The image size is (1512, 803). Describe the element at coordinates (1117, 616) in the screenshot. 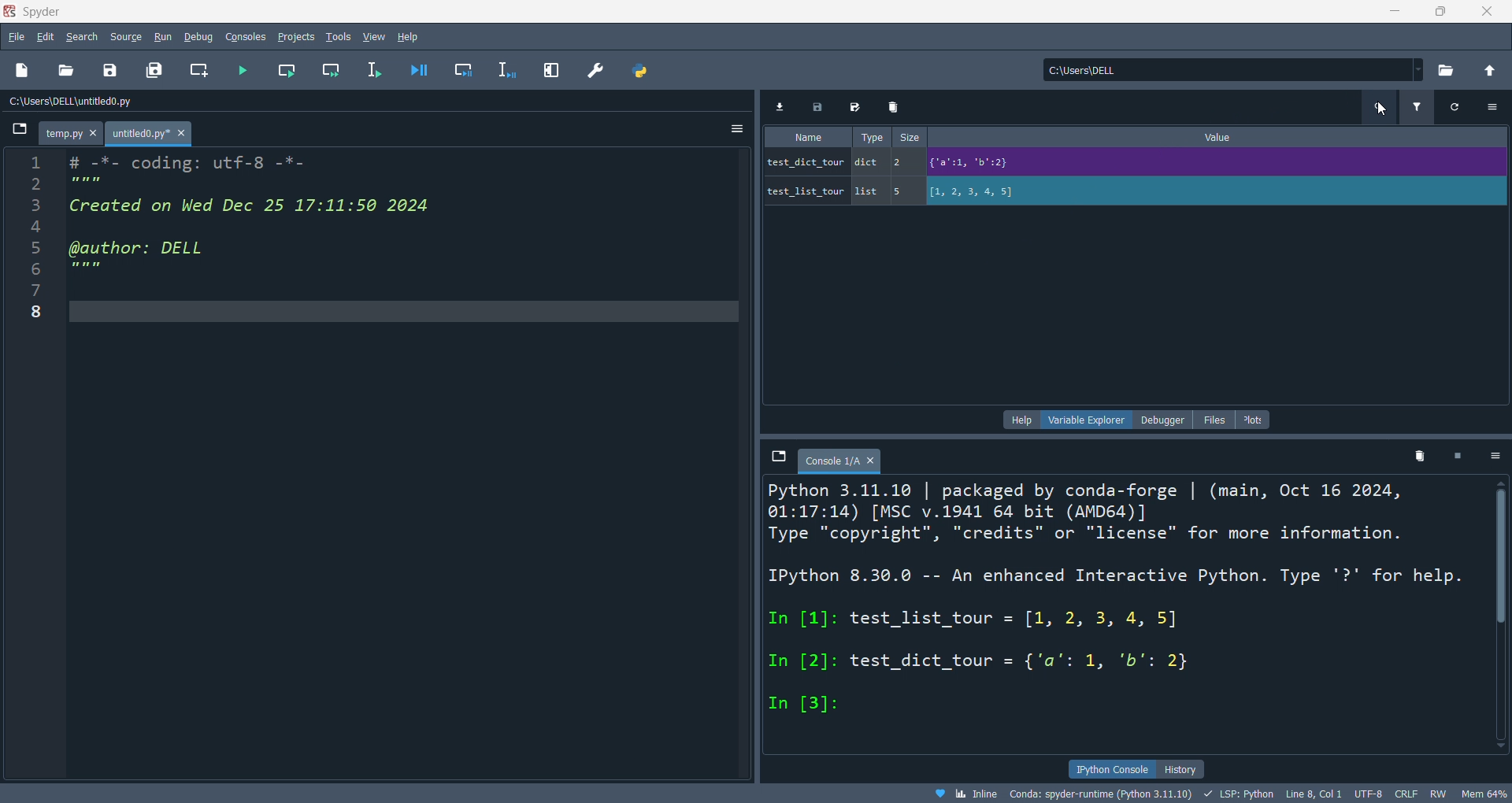

I see `ipython concole pane` at that location.